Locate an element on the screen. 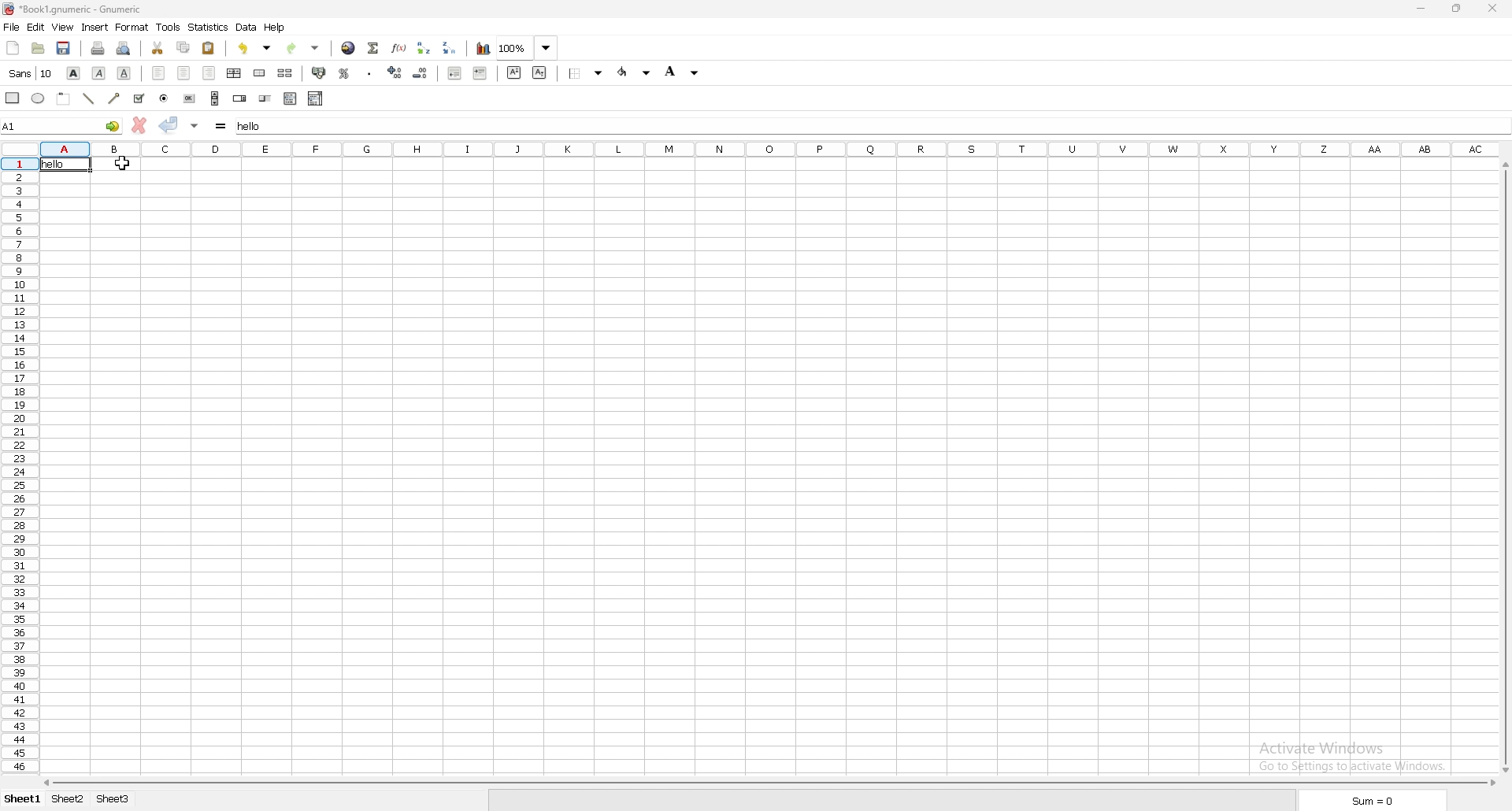 This screenshot has width=1512, height=811. new is located at coordinates (13, 48).